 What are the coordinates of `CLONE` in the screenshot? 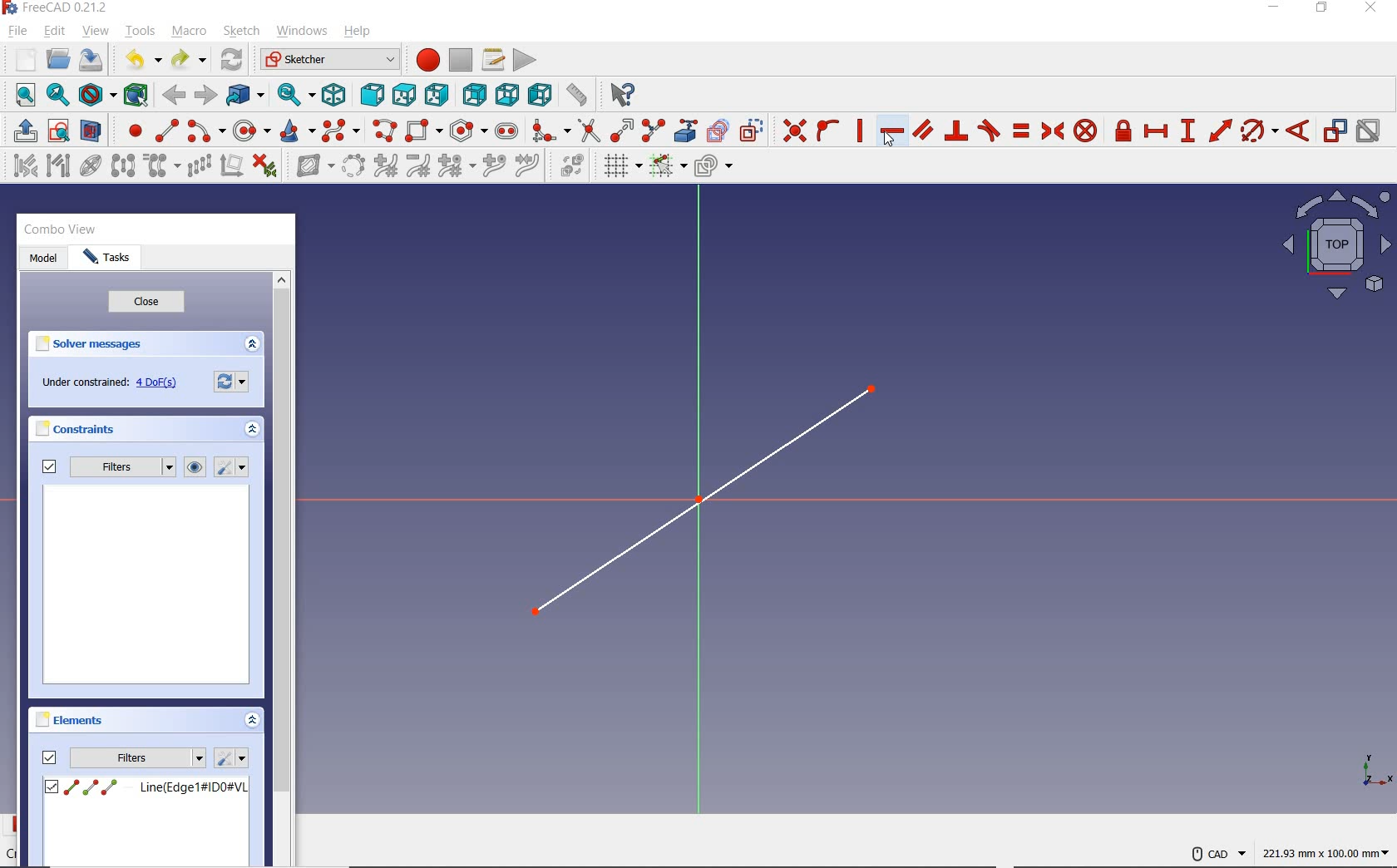 It's located at (159, 166).